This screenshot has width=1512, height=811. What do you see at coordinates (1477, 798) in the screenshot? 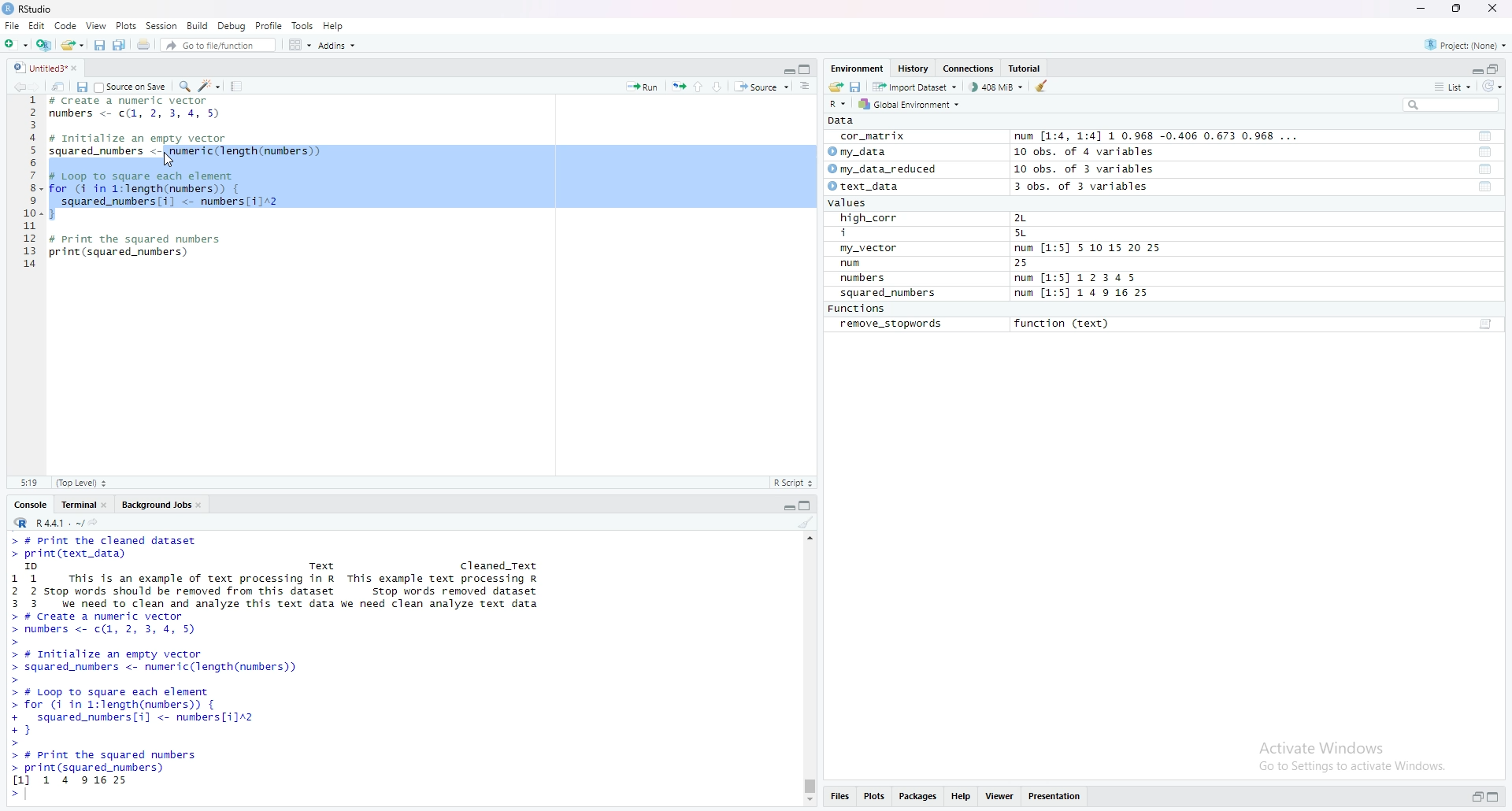
I see `restore` at bounding box center [1477, 798].